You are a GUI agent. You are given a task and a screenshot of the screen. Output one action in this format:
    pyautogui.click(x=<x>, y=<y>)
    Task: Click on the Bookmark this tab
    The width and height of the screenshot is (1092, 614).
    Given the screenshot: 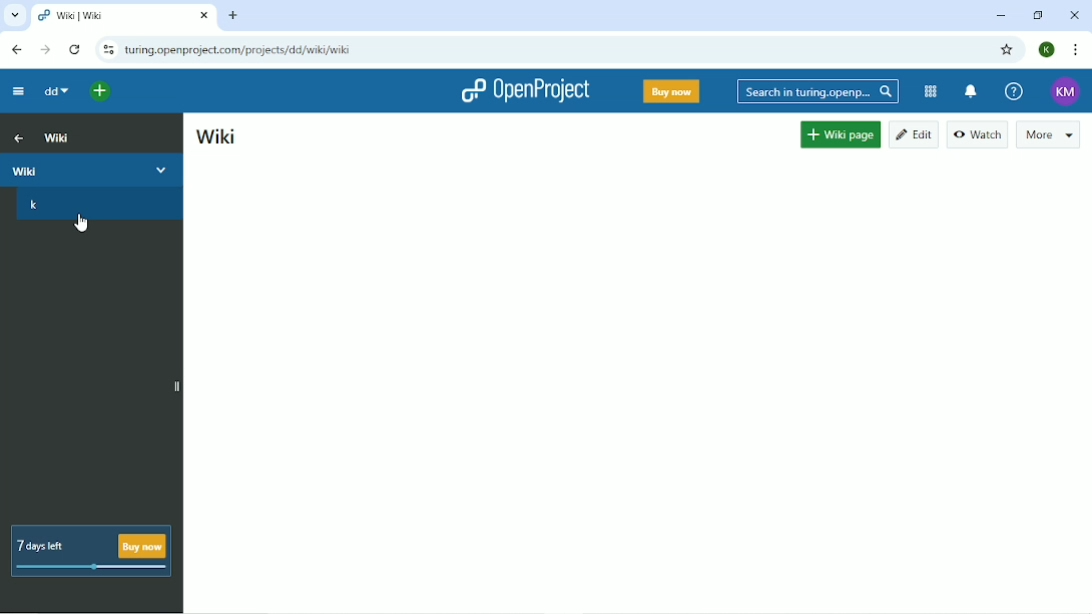 What is the action you would take?
    pyautogui.click(x=1009, y=50)
    